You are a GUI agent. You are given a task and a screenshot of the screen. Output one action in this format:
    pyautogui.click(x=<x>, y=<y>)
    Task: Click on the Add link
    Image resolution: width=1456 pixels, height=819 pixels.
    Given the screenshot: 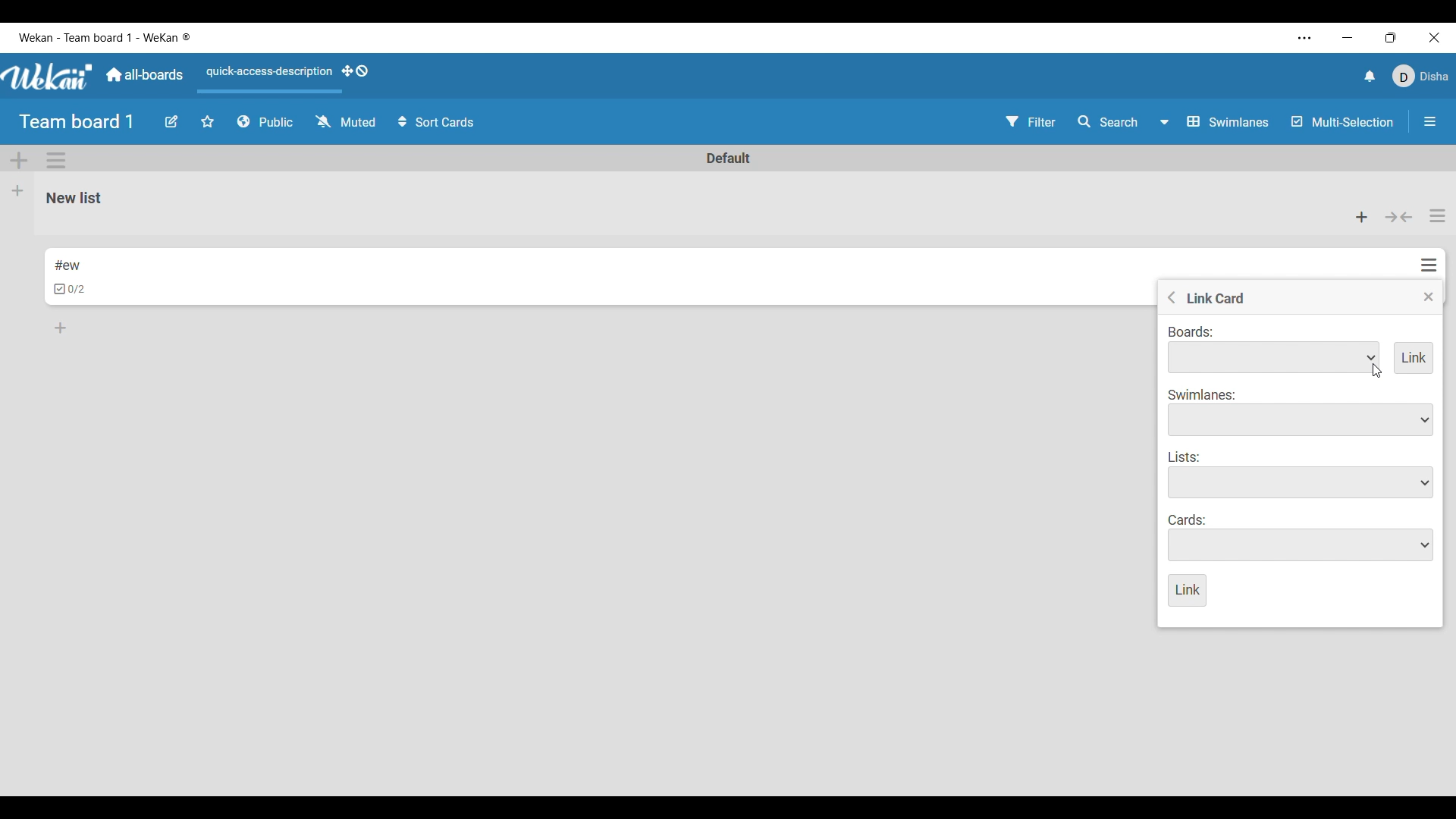 What is the action you would take?
    pyautogui.click(x=1414, y=358)
    